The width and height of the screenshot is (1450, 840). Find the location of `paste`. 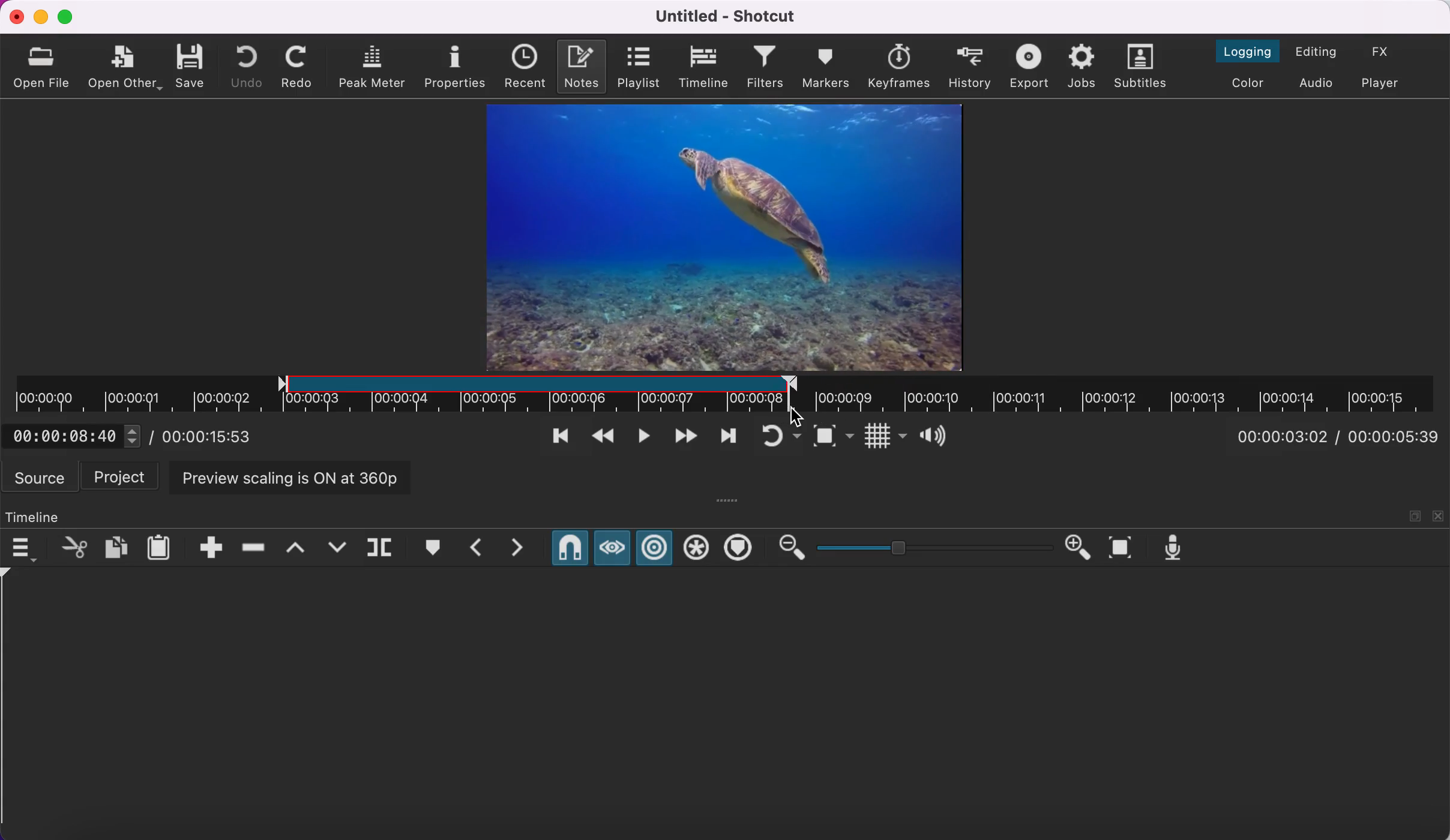

paste is located at coordinates (161, 547).